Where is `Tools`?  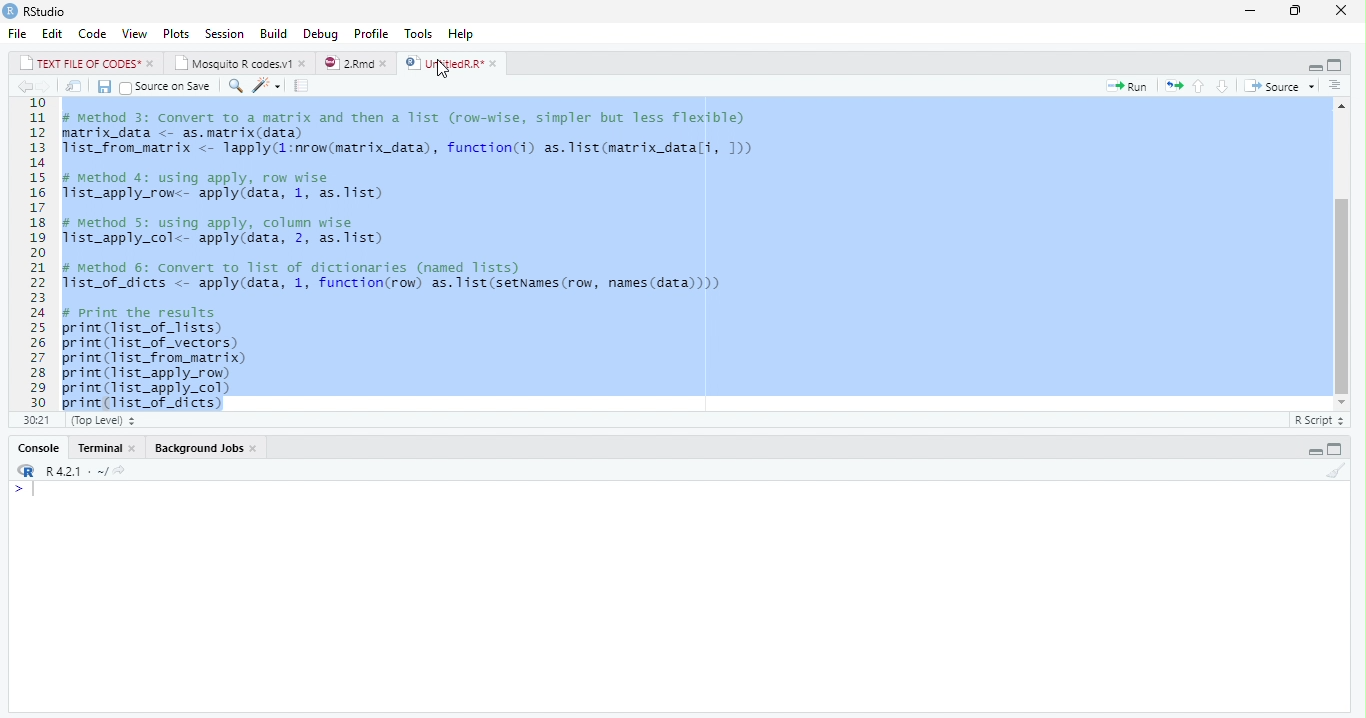 Tools is located at coordinates (421, 33).